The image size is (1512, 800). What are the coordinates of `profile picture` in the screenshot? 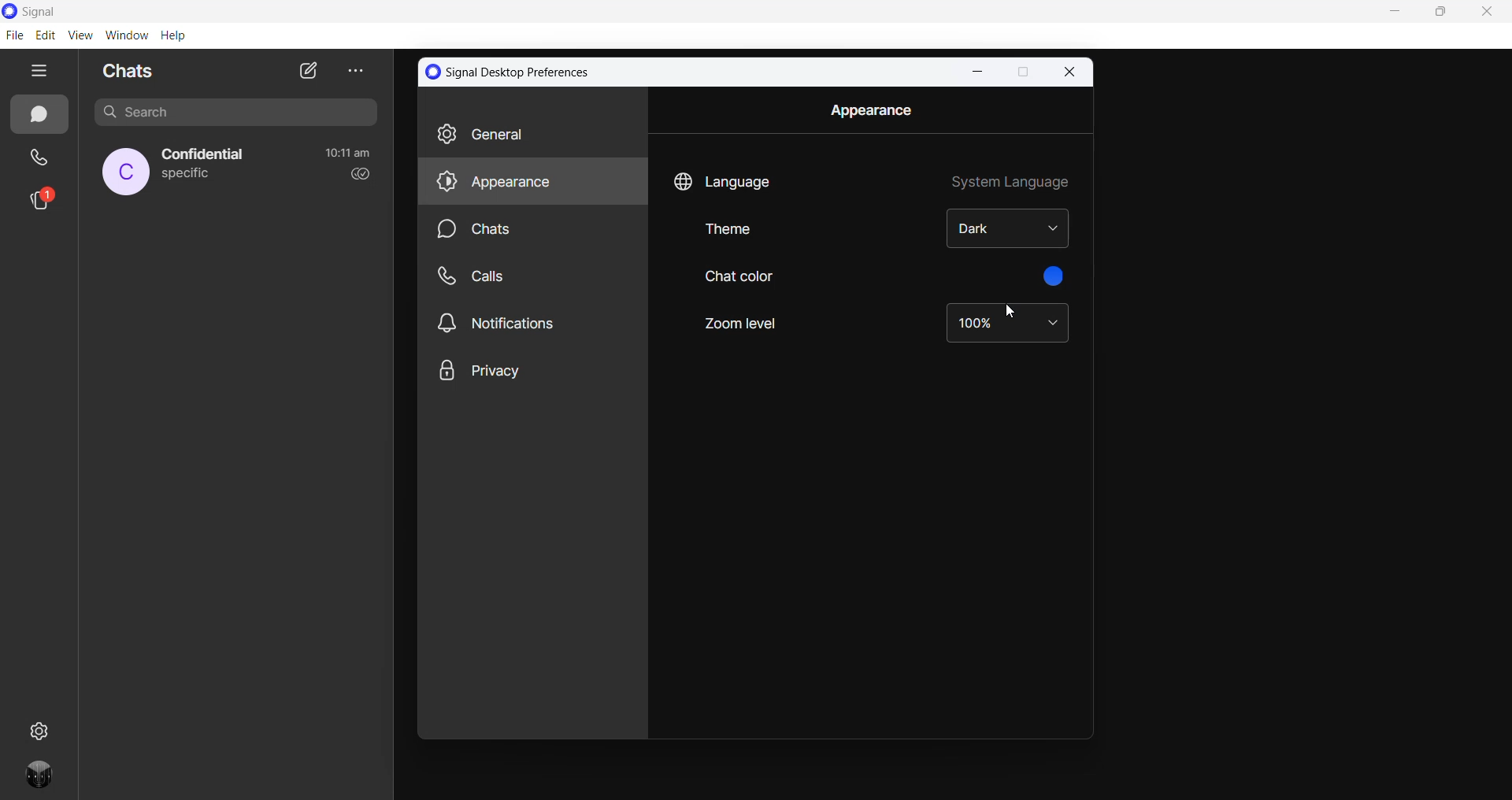 It's located at (126, 172).